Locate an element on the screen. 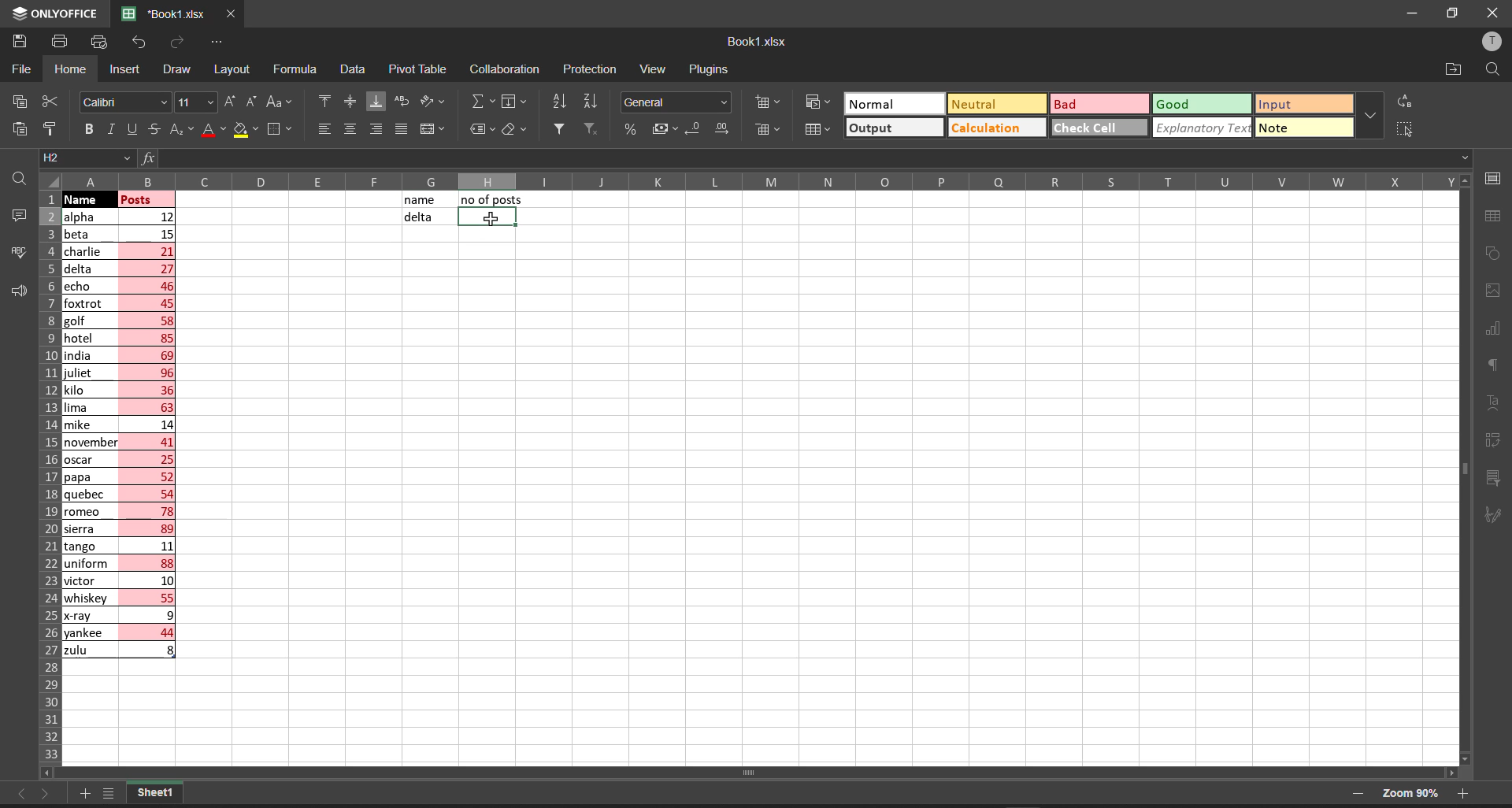  align center is located at coordinates (349, 102).